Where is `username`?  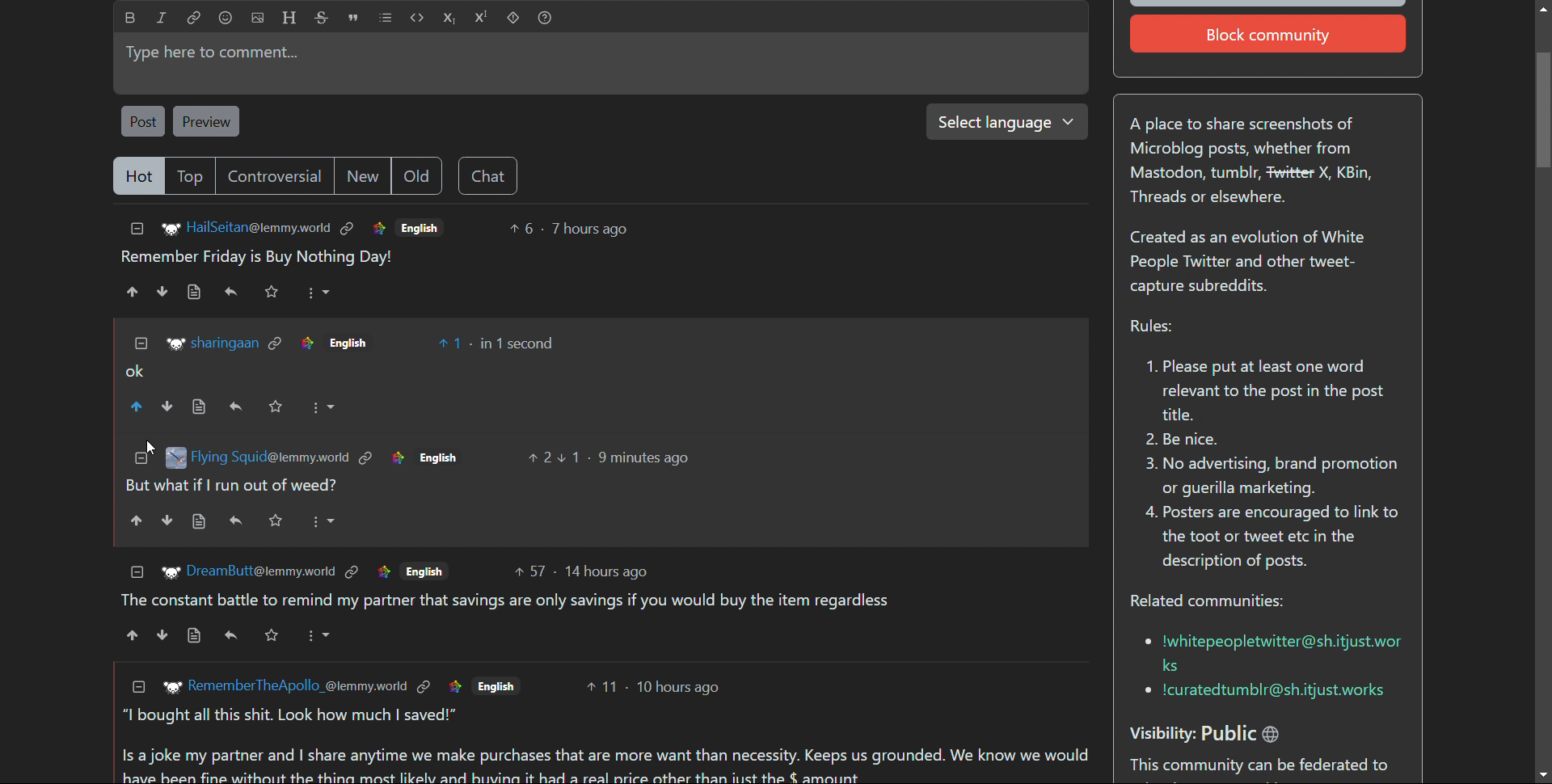
username is located at coordinates (260, 572).